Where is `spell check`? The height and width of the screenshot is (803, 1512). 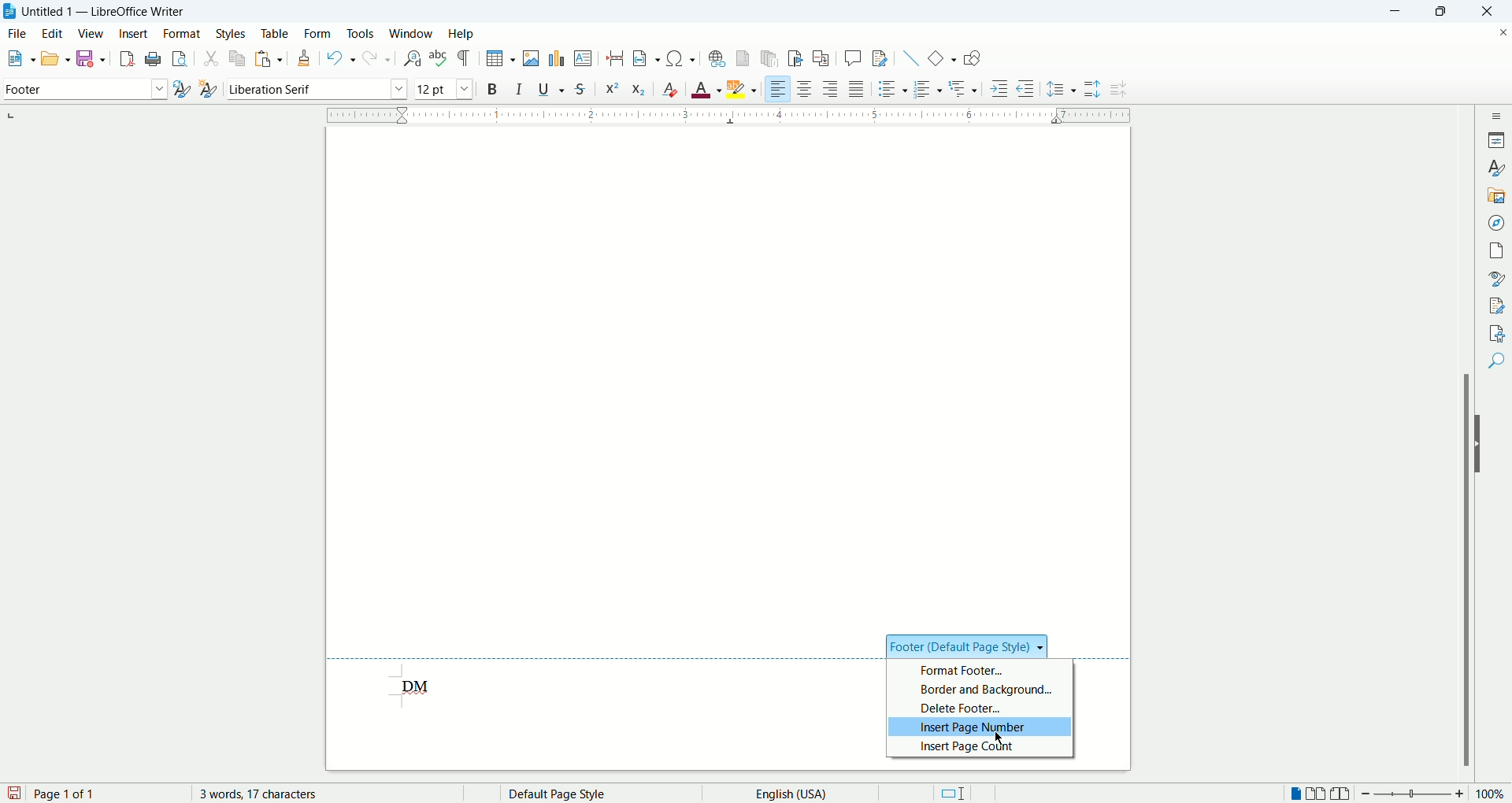 spell check is located at coordinates (440, 58).